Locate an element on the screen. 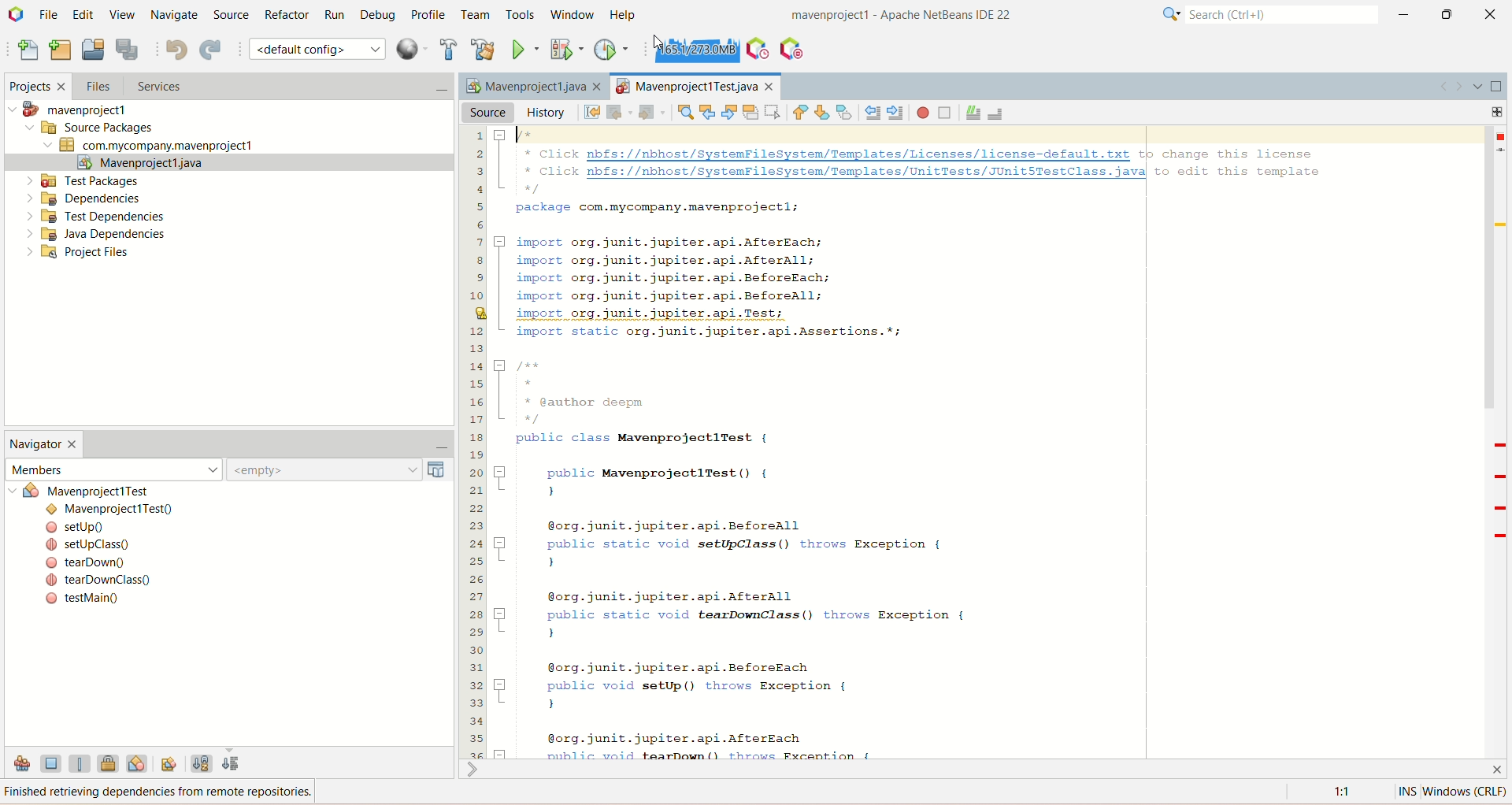  1:1 is located at coordinates (1332, 796).